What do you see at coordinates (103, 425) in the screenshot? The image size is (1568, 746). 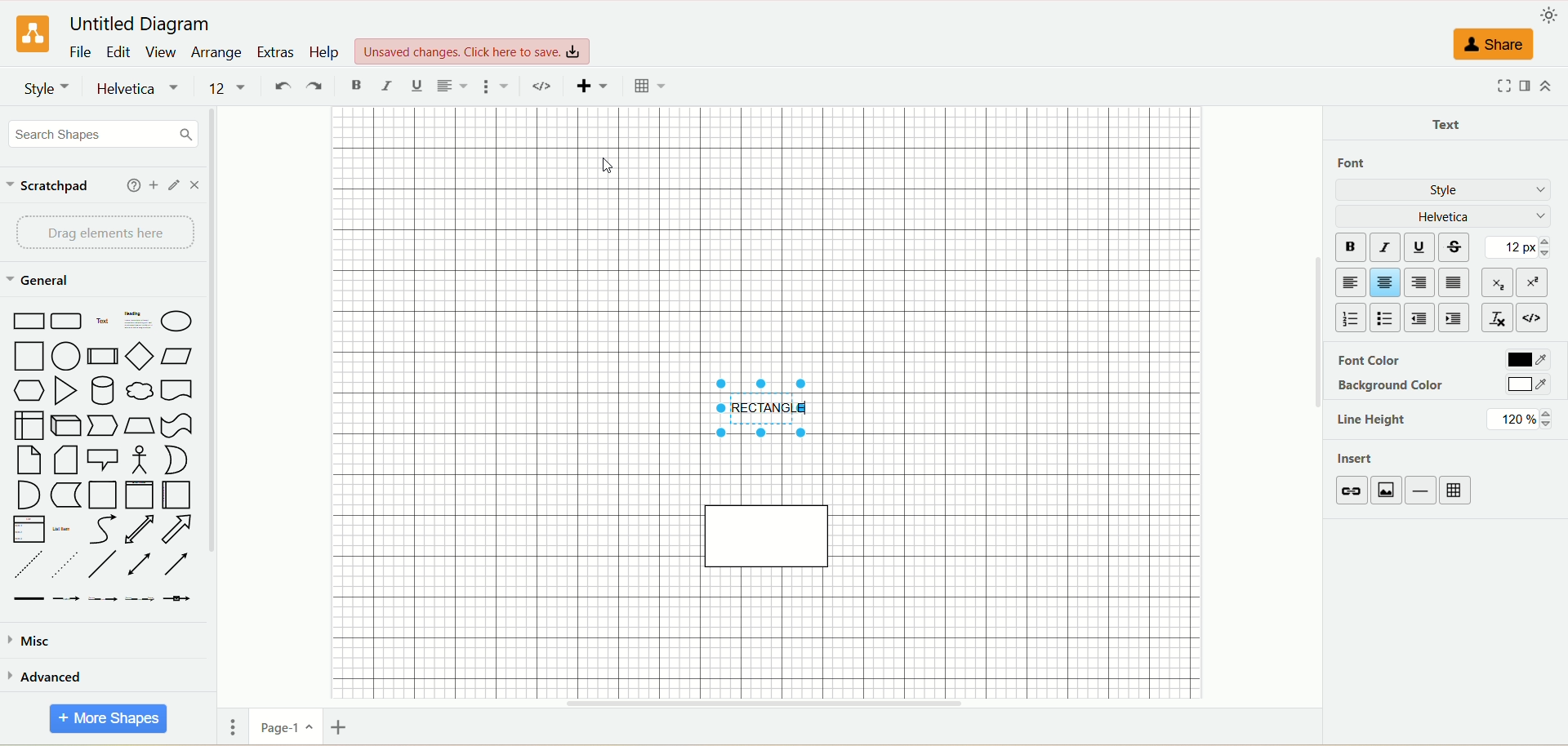 I see `step` at bounding box center [103, 425].